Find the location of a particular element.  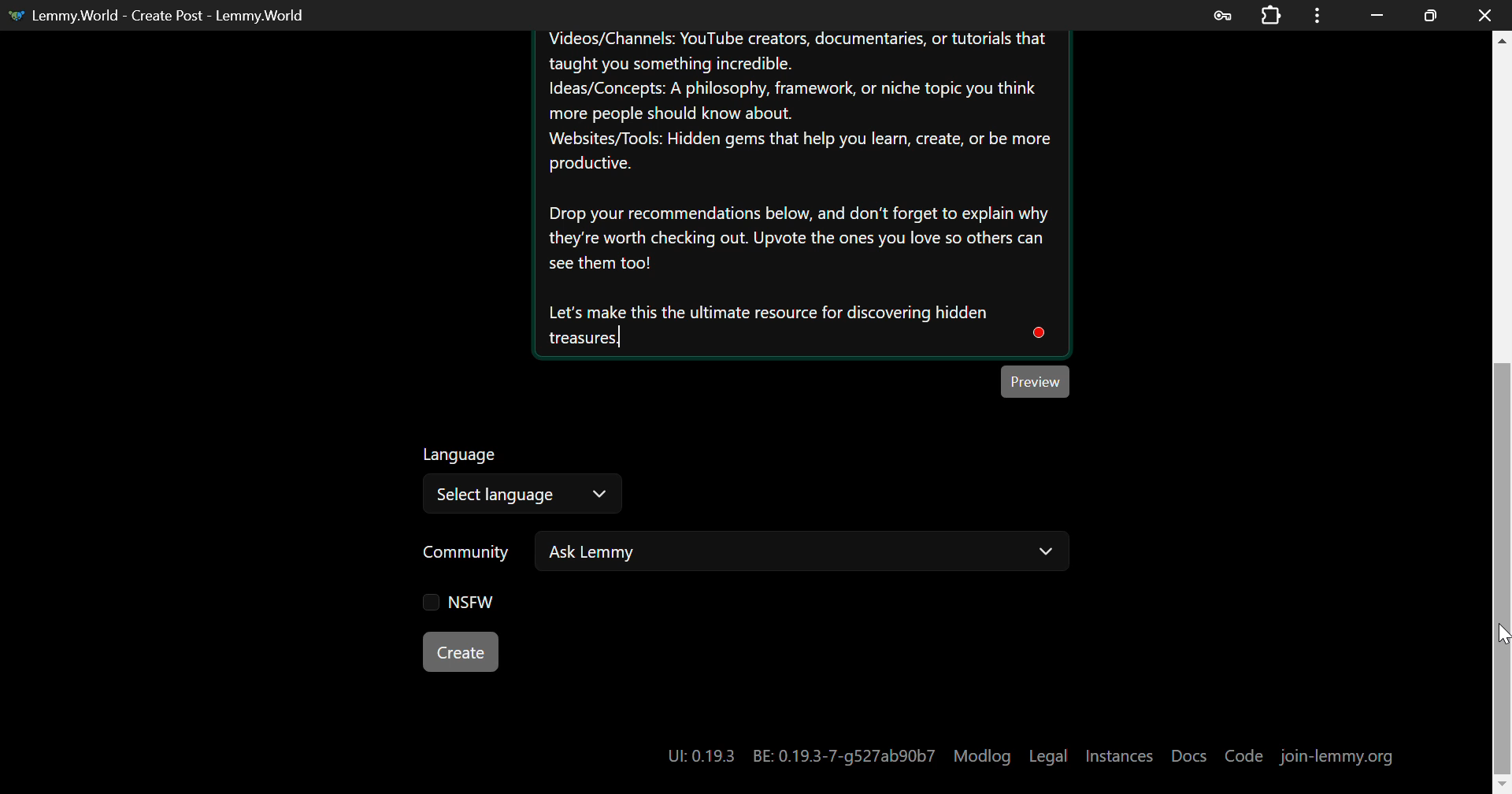

Docs is located at coordinates (1190, 755).